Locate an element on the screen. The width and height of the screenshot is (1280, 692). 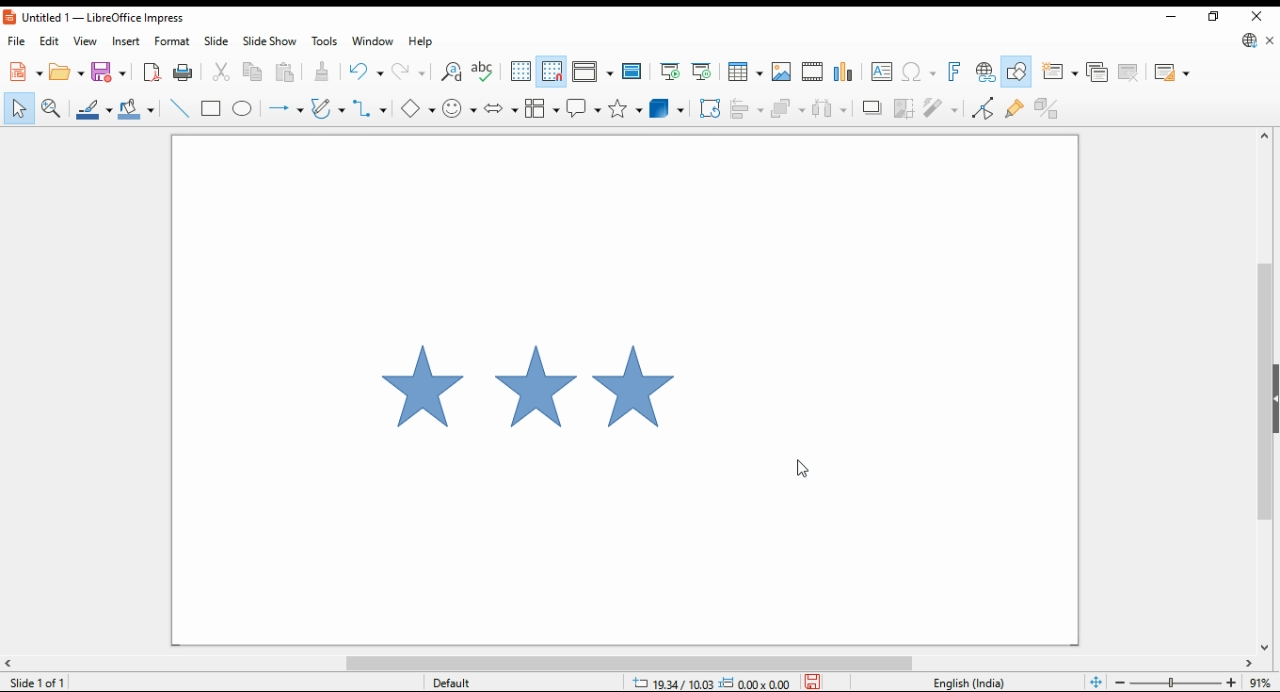
align objects is located at coordinates (748, 109).